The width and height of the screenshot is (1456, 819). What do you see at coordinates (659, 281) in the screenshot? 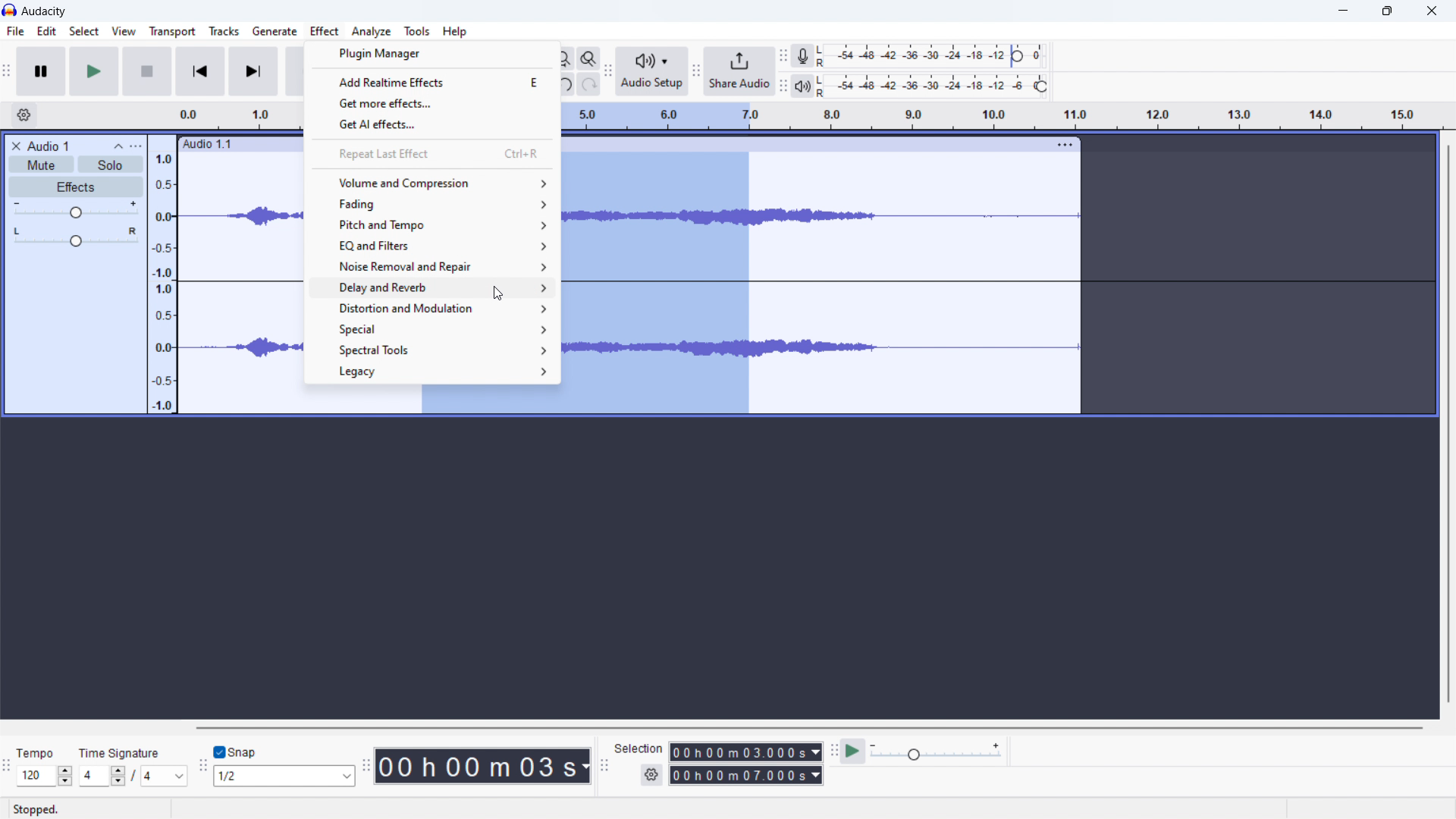
I see `selected audio section of the track` at bounding box center [659, 281].